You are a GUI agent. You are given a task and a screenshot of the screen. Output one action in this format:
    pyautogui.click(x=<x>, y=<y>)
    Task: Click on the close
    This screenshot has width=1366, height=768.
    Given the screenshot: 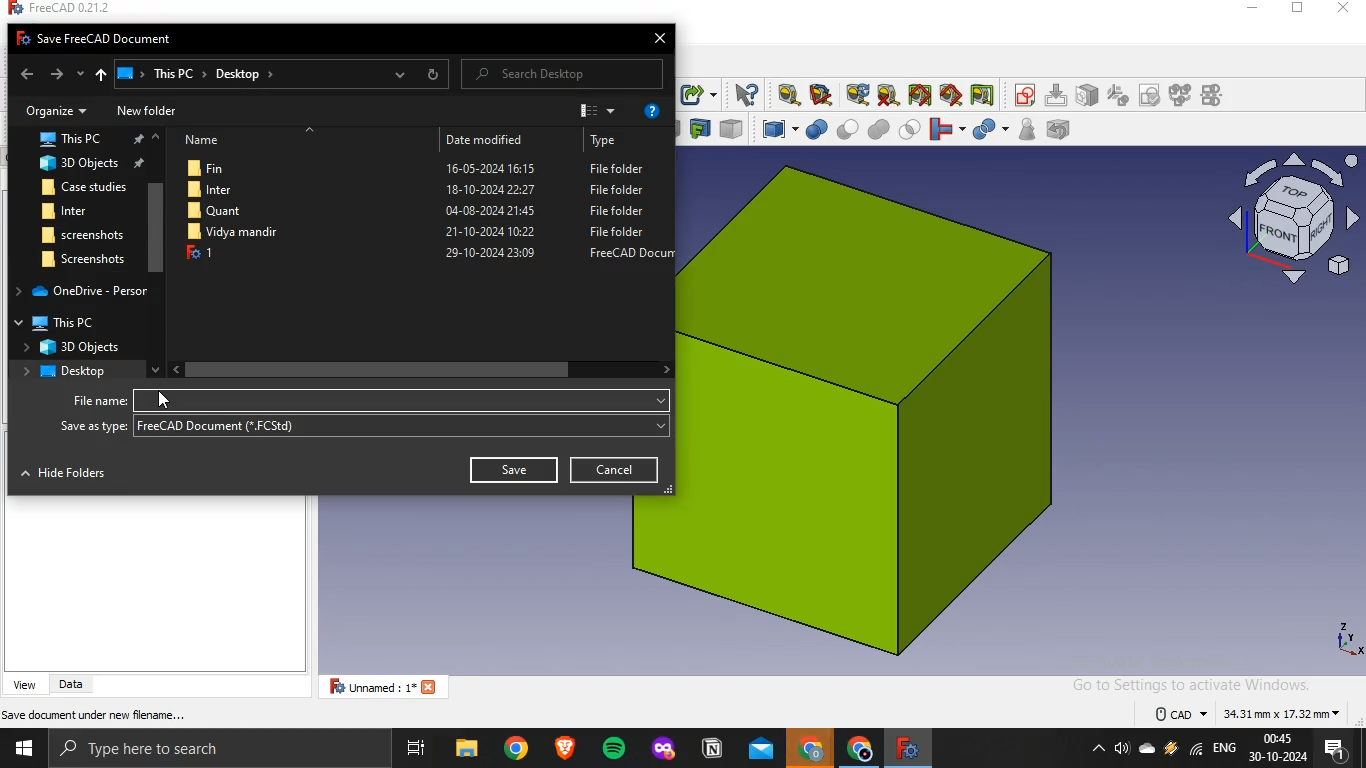 What is the action you would take?
    pyautogui.click(x=659, y=37)
    